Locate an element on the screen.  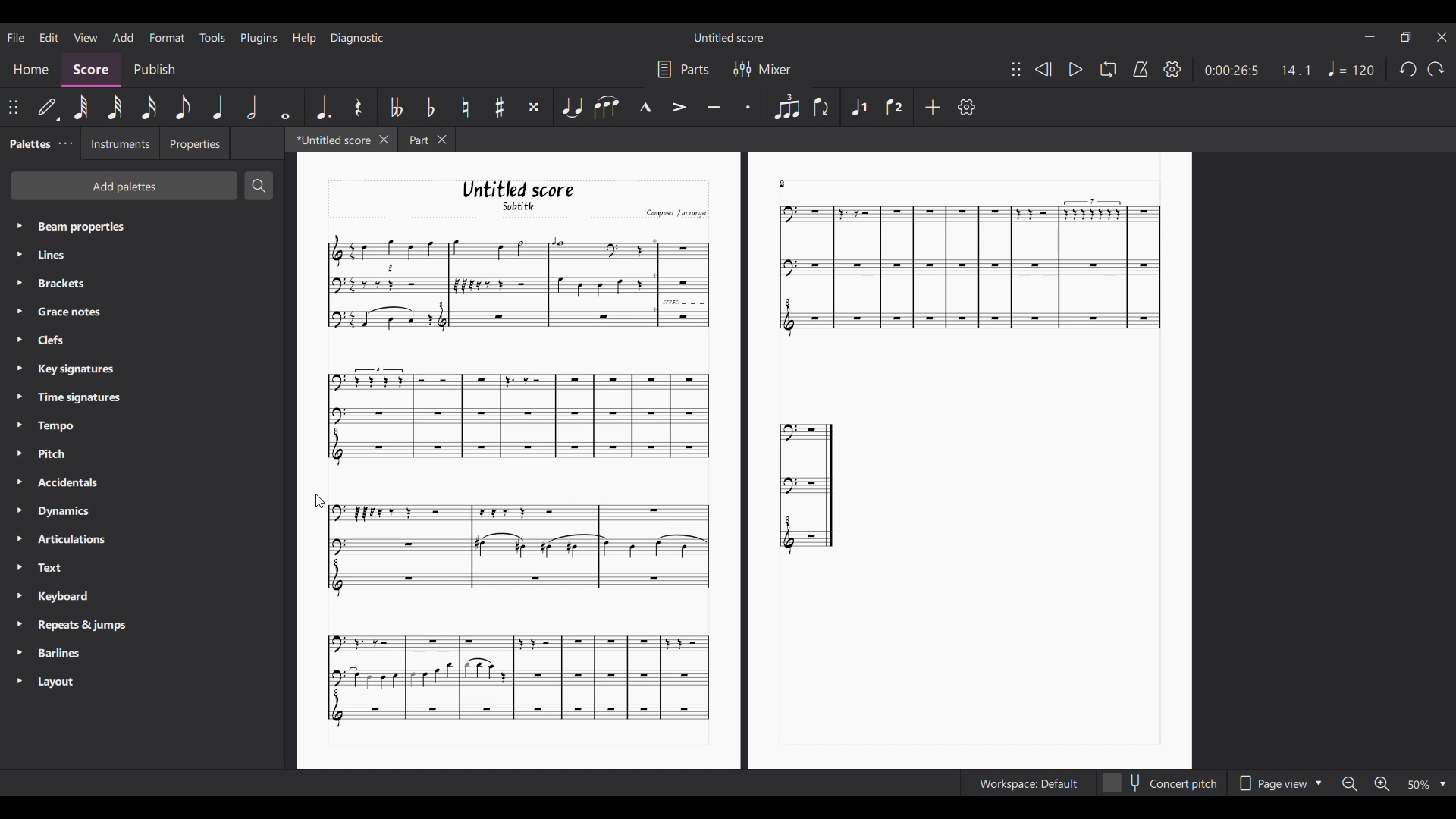
Parts settings is located at coordinates (684, 69).